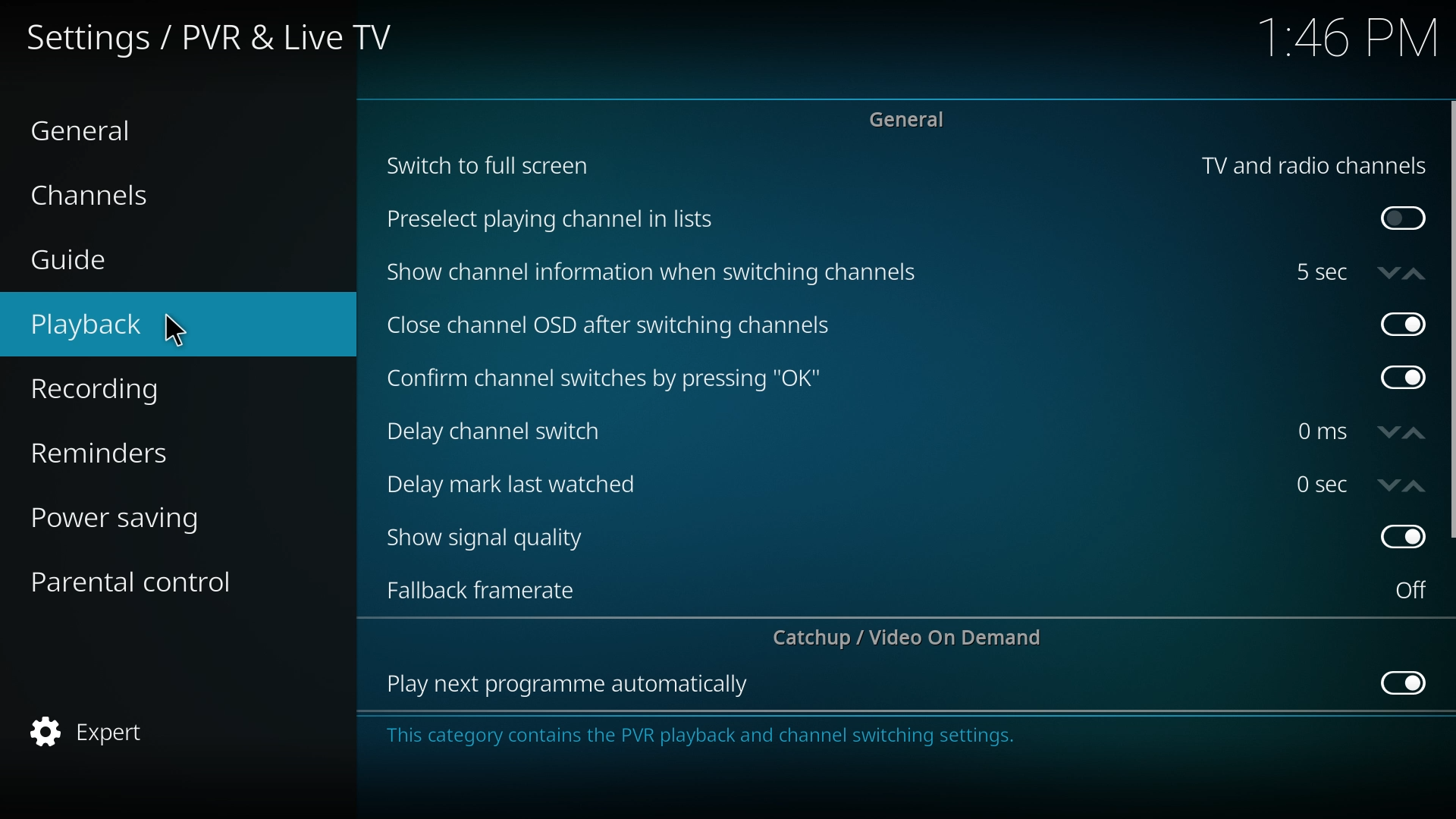 This screenshot has width=1456, height=819. Describe the element at coordinates (1322, 431) in the screenshot. I see `time` at that location.